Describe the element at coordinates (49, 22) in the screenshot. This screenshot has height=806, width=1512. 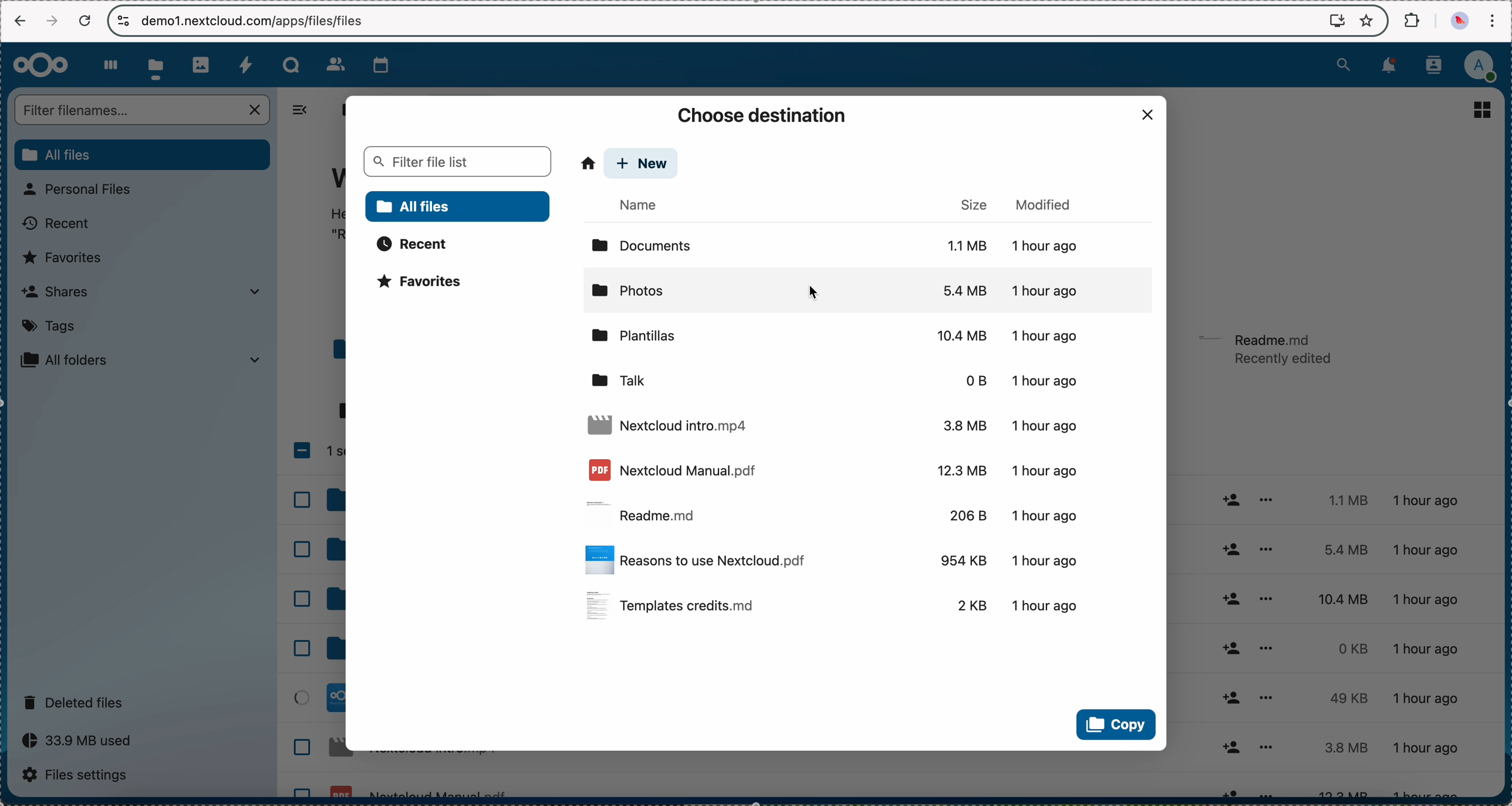
I see `navigate foward` at that location.